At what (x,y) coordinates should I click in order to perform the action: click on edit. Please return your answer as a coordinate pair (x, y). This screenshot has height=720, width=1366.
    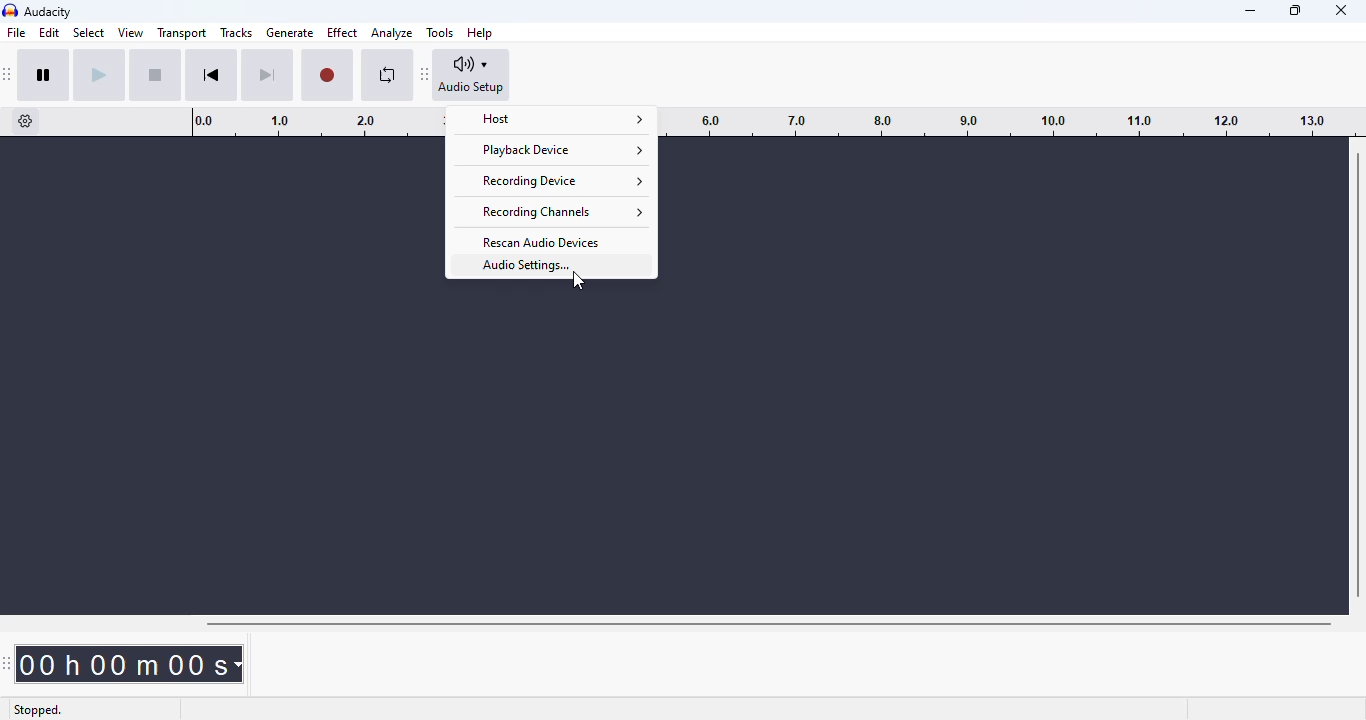
    Looking at the image, I should click on (49, 32).